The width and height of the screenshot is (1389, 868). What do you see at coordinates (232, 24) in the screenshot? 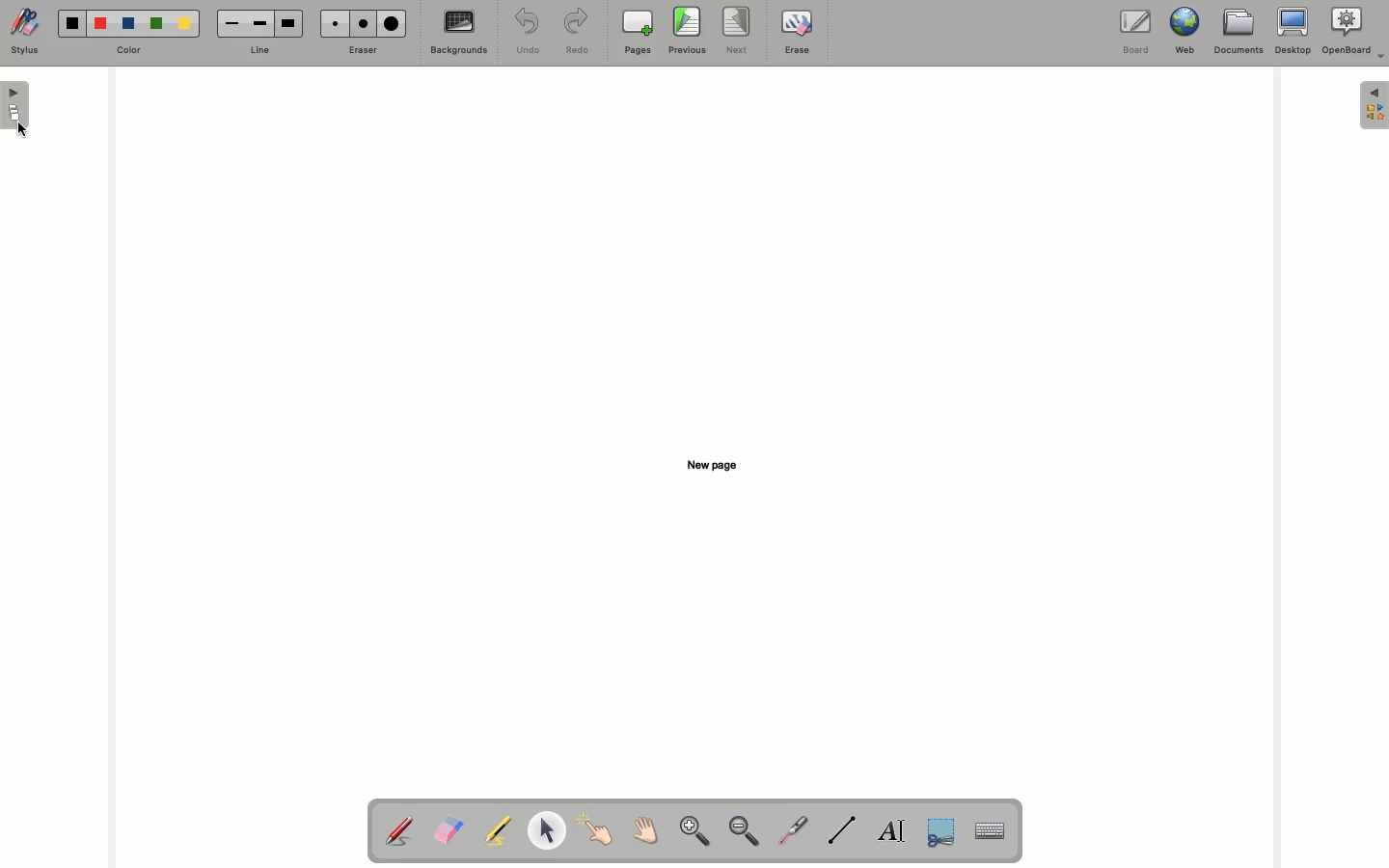
I see `Small line` at bounding box center [232, 24].